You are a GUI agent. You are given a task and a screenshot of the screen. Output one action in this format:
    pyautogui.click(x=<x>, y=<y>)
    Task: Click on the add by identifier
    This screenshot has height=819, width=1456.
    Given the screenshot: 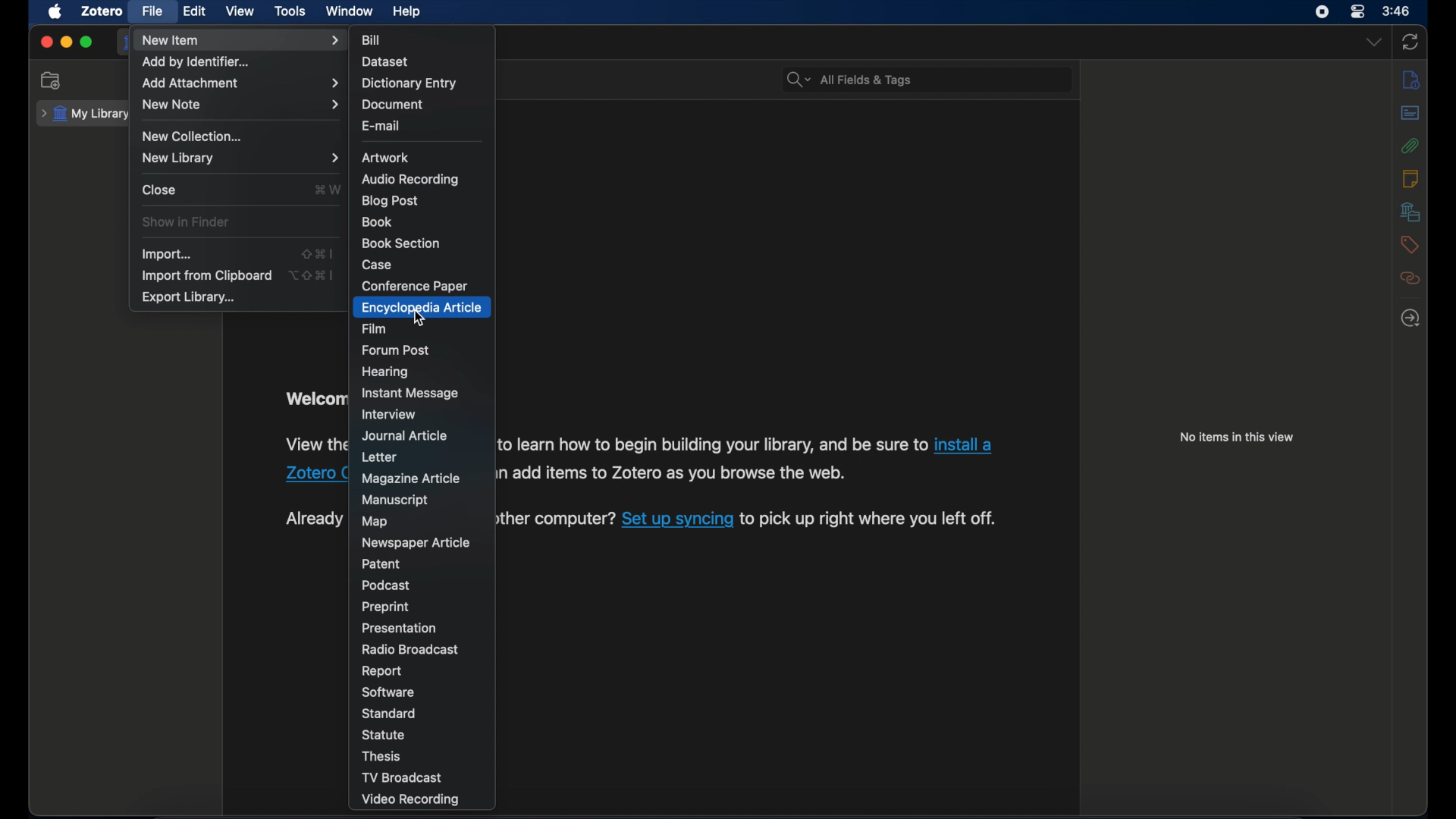 What is the action you would take?
    pyautogui.click(x=196, y=62)
    